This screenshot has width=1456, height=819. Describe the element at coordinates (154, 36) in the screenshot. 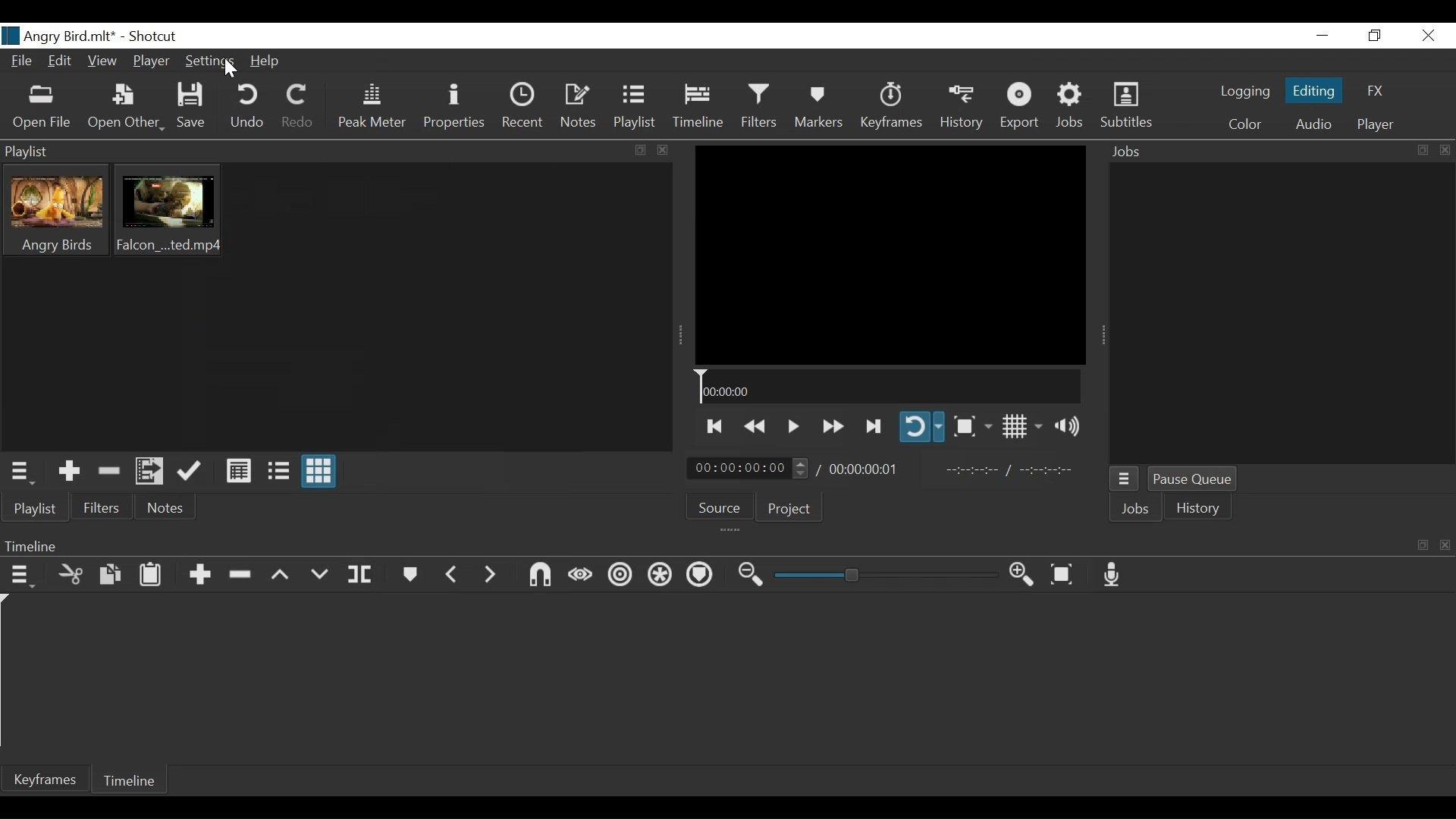

I see `Shotcut` at that location.